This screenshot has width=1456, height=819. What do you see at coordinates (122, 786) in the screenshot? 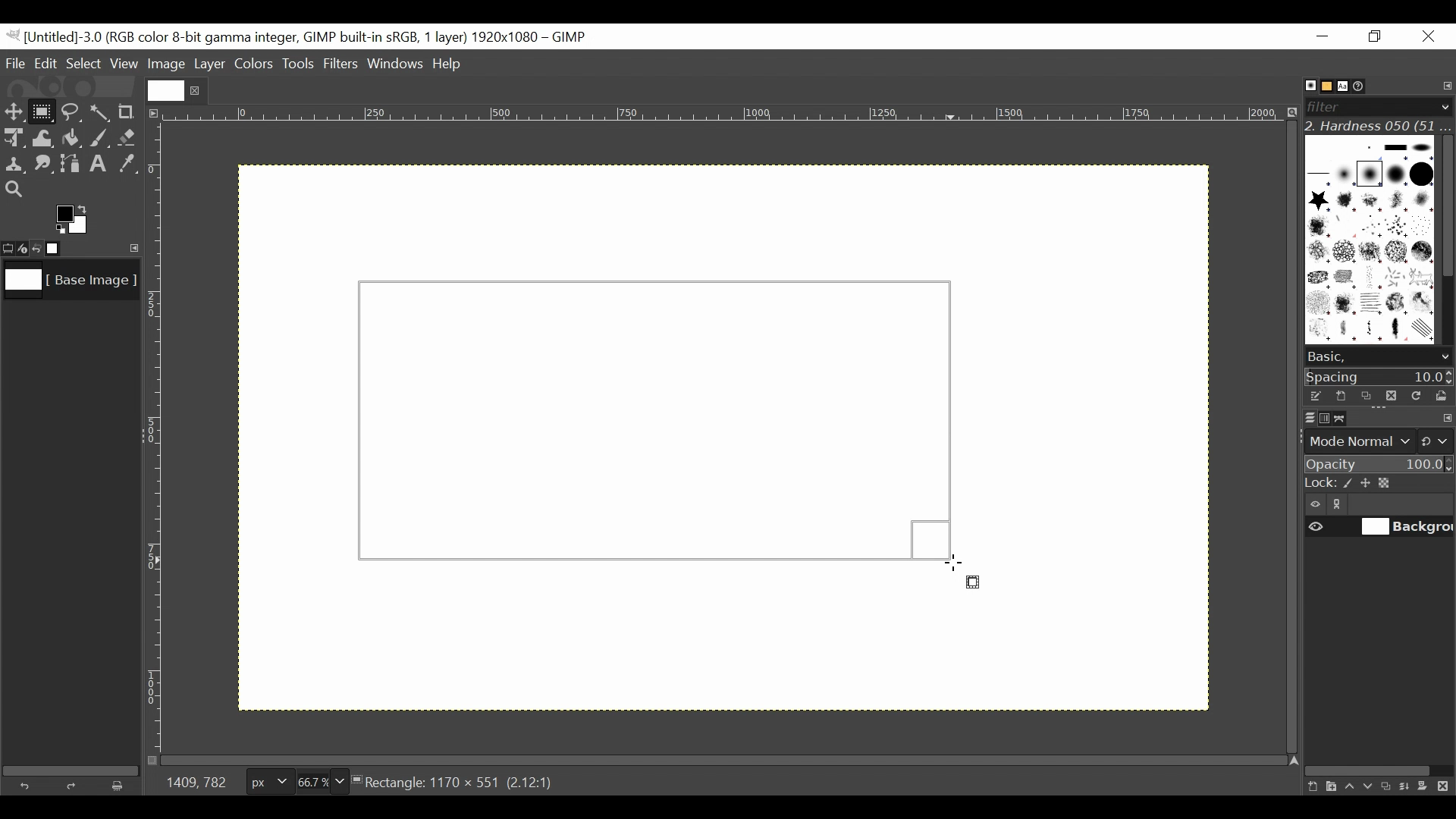
I see `Clear button` at bounding box center [122, 786].